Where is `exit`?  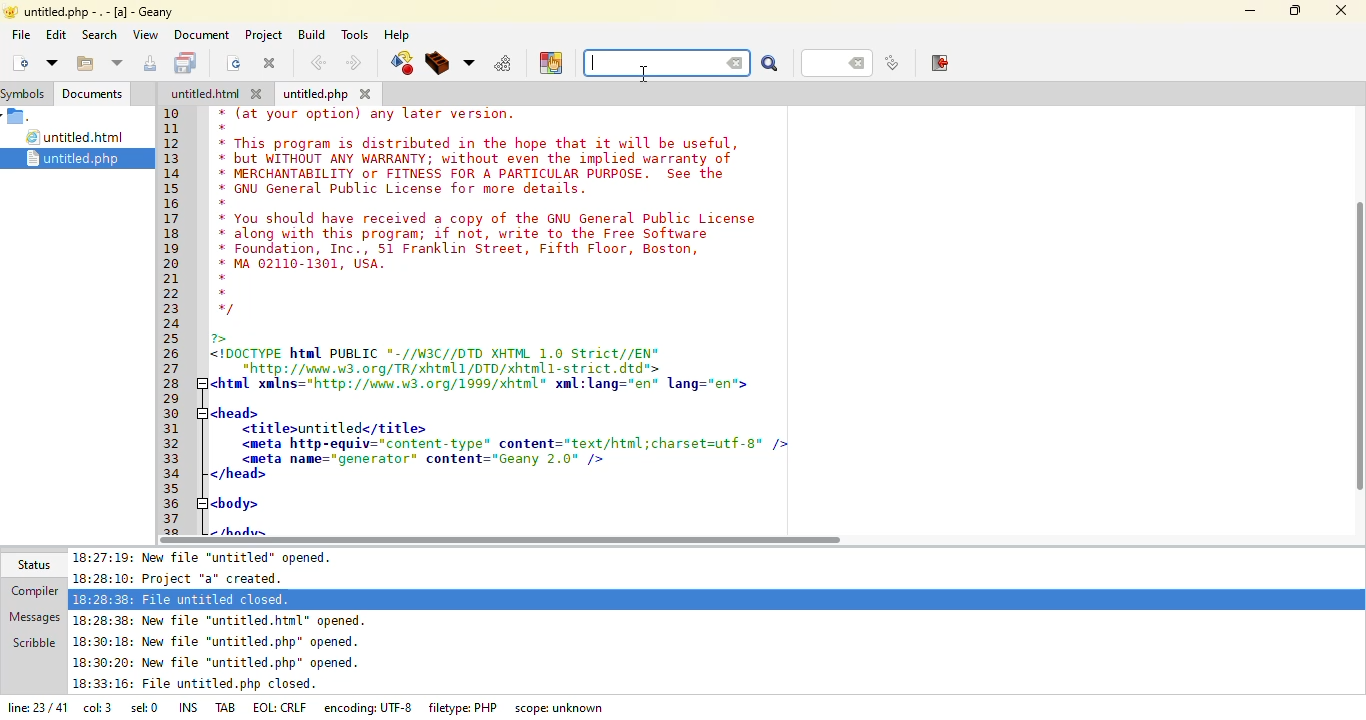 exit is located at coordinates (941, 63).